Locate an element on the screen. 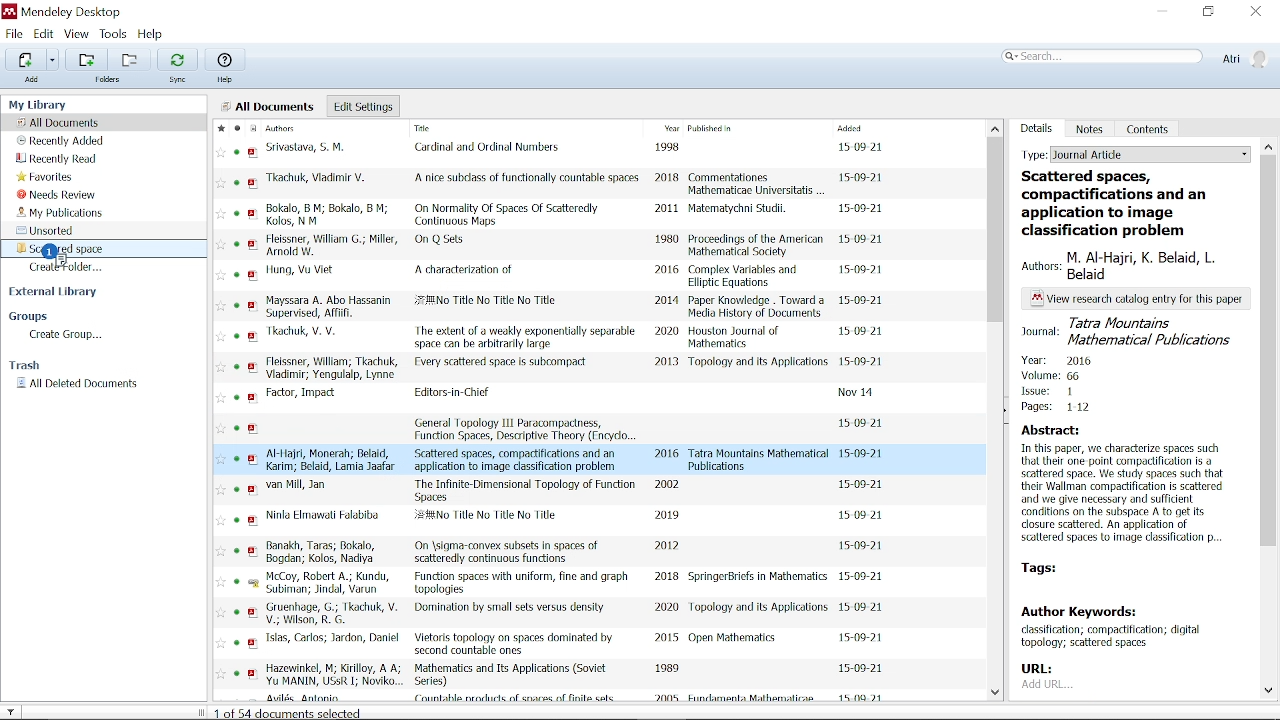  authors is located at coordinates (334, 614).